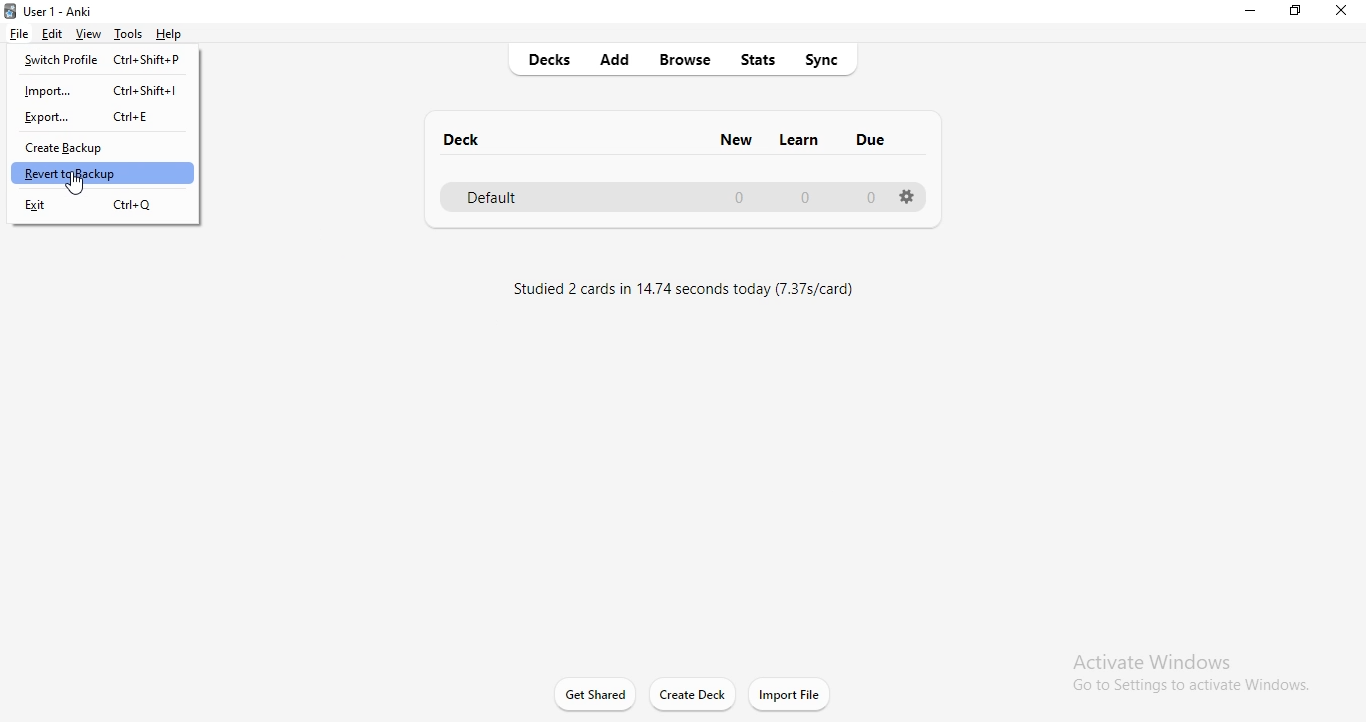  I want to click on due, so click(871, 143).